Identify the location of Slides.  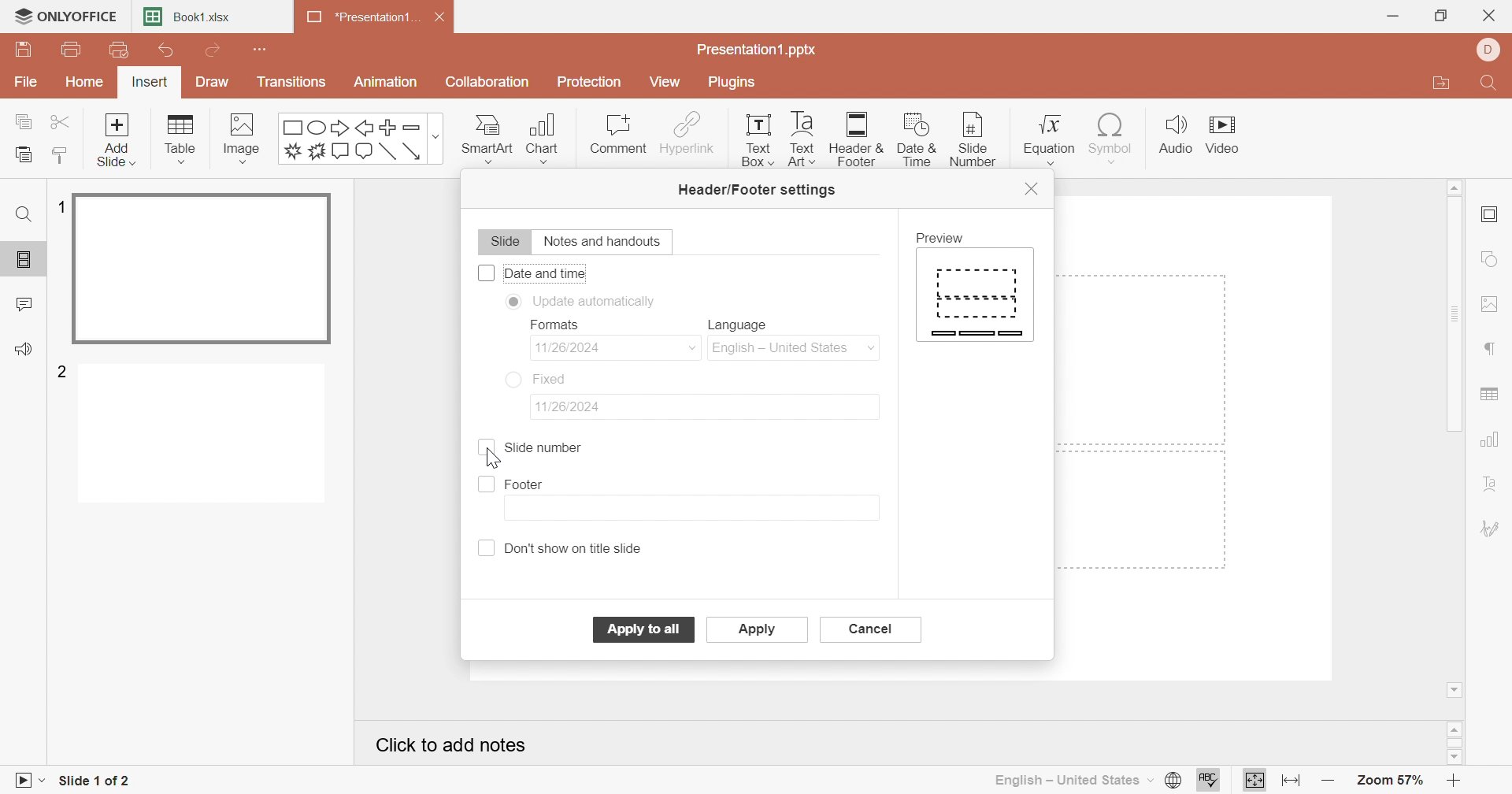
(27, 260).